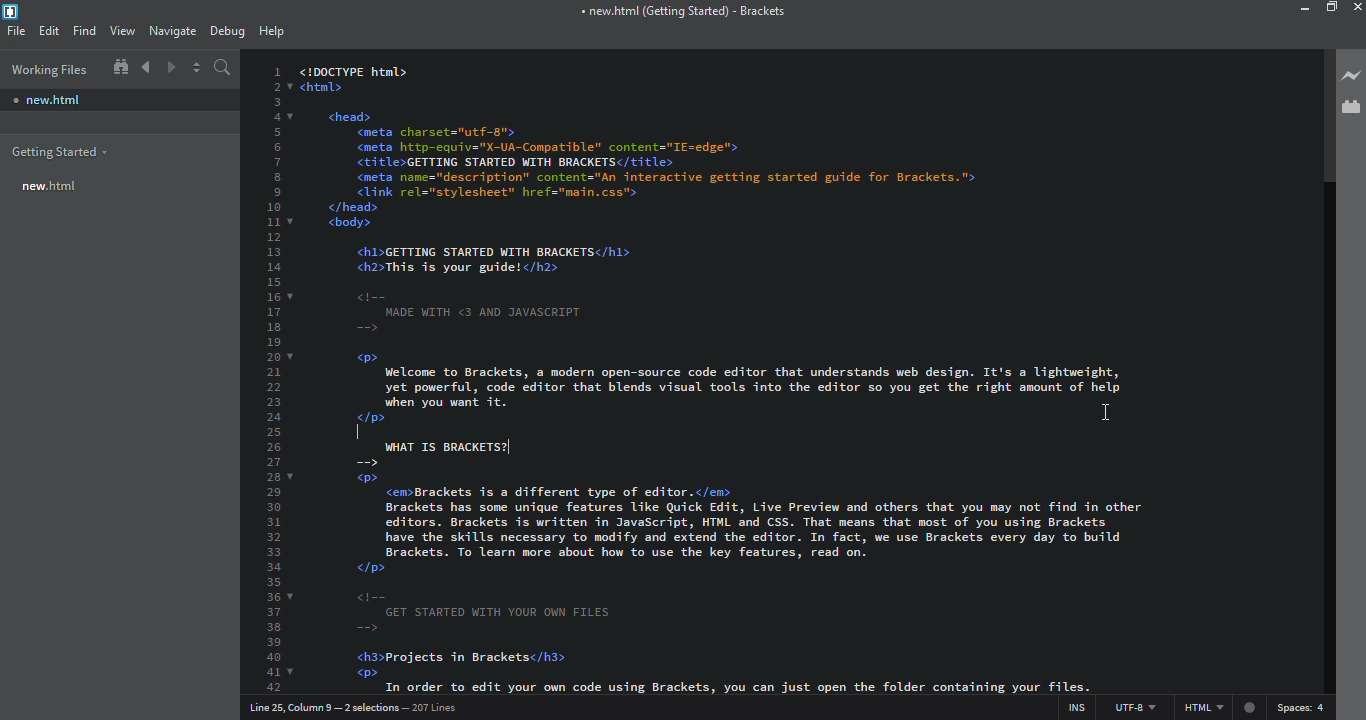 This screenshot has width=1366, height=720. What do you see at coordinates (48, 69) in the screenshot?
I see `working files` at bounding box center [48, 69].